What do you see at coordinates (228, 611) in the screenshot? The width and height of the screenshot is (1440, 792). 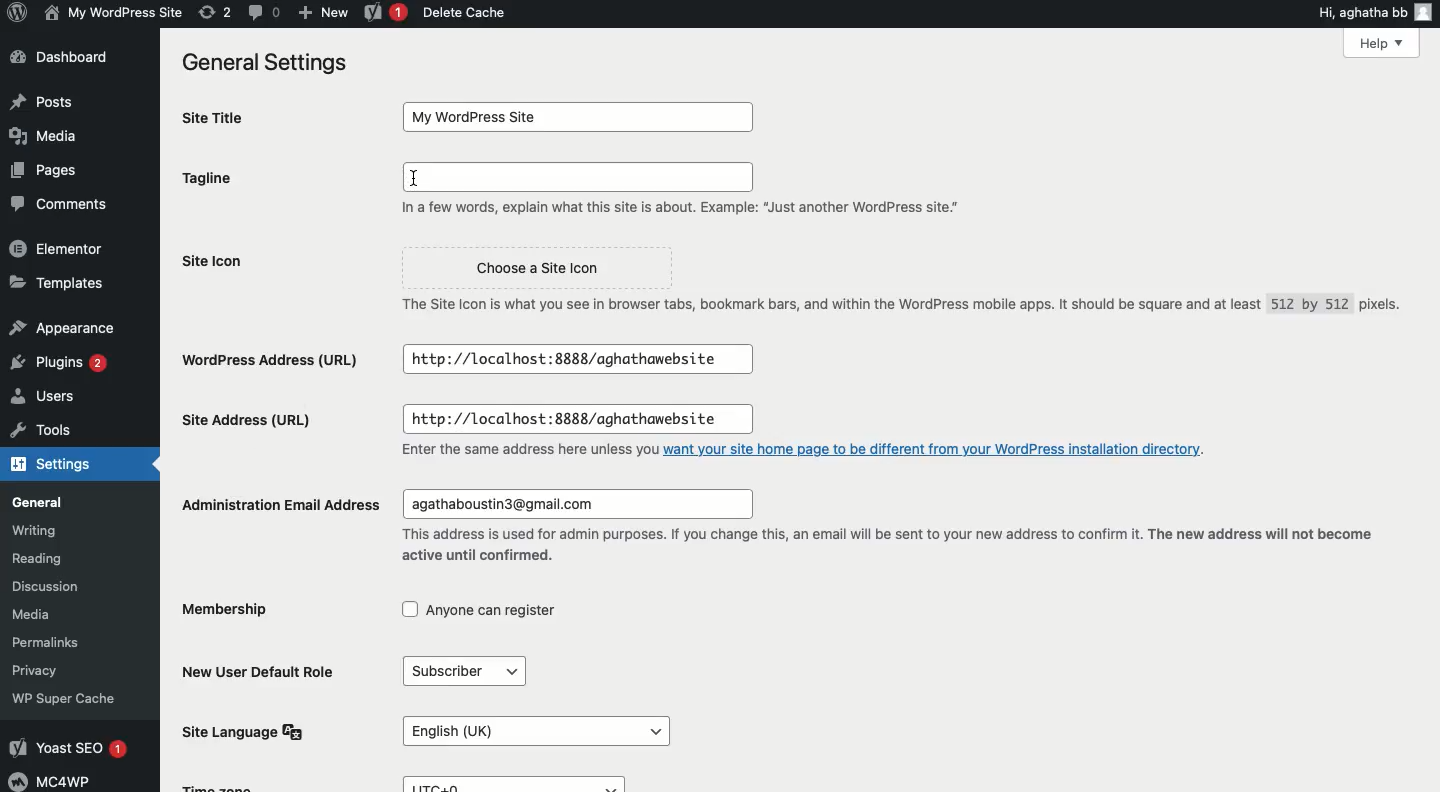 I see `Membership` at bounding box center [228, 611].